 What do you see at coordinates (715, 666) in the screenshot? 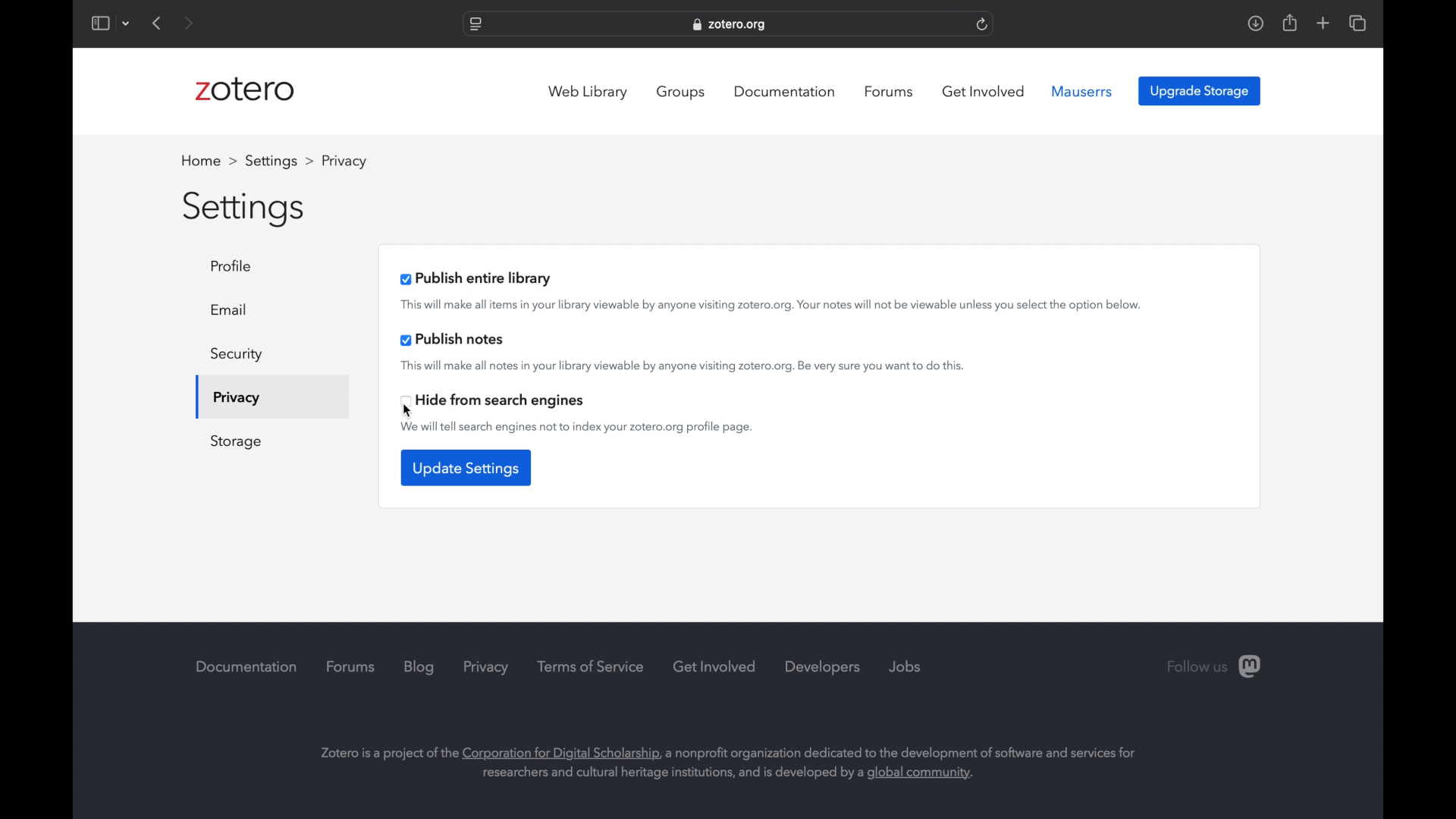
I see `get involved` at bounding box center [715, 666].